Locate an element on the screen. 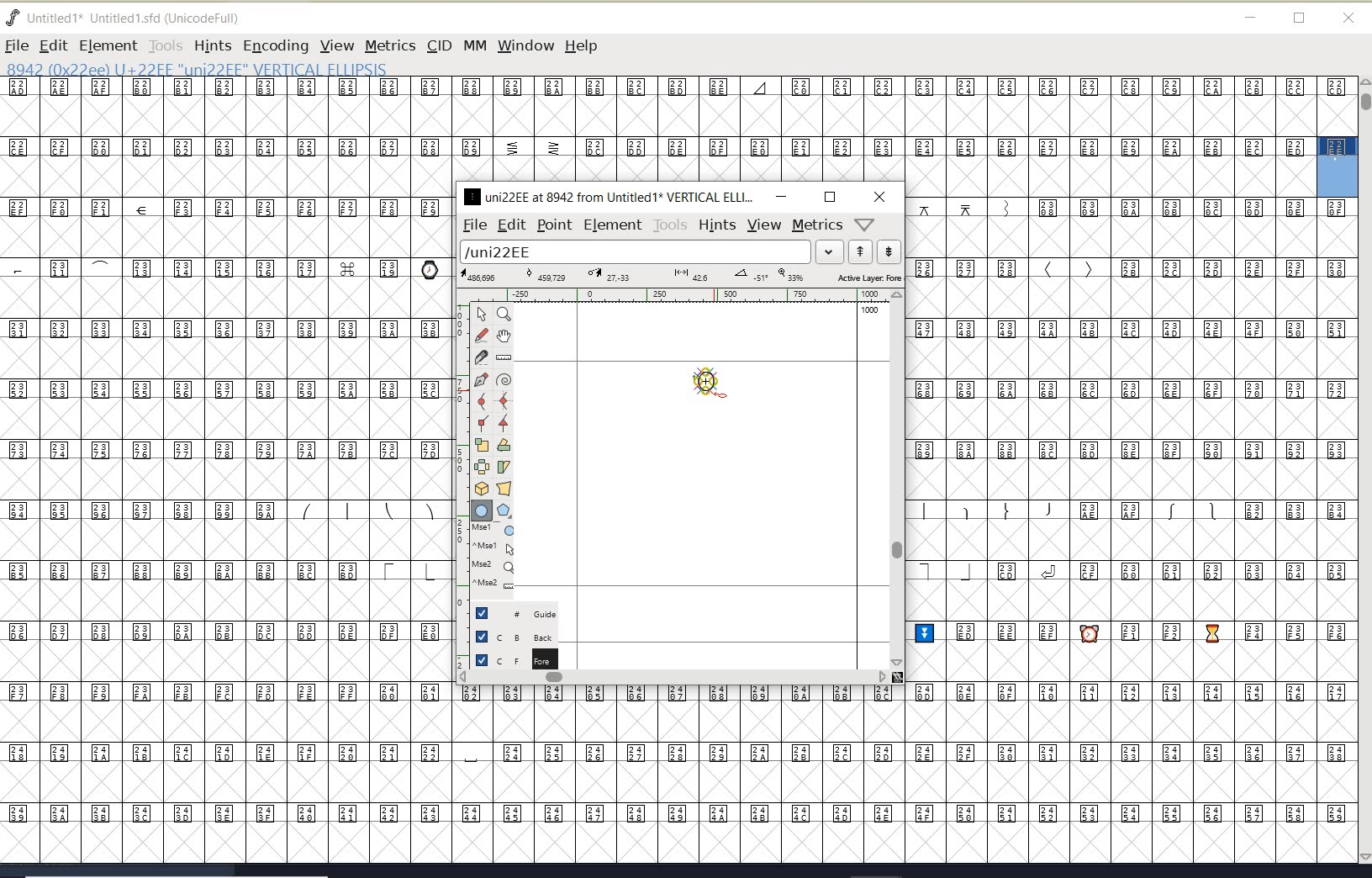  load word list is located at coordinates (648, 253).